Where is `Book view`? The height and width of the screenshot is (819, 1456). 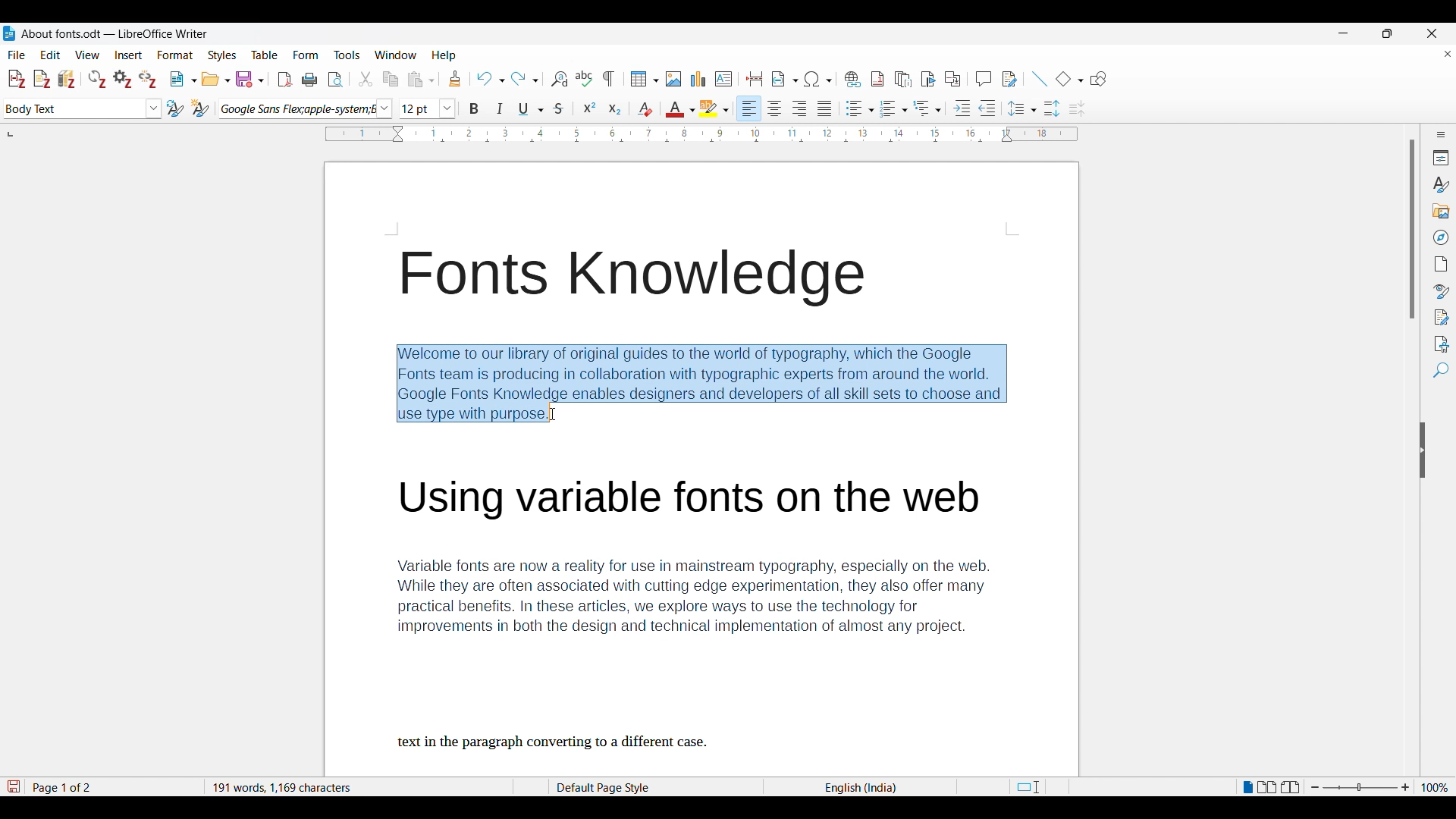 Book view is located at coordinates (1290, 786).